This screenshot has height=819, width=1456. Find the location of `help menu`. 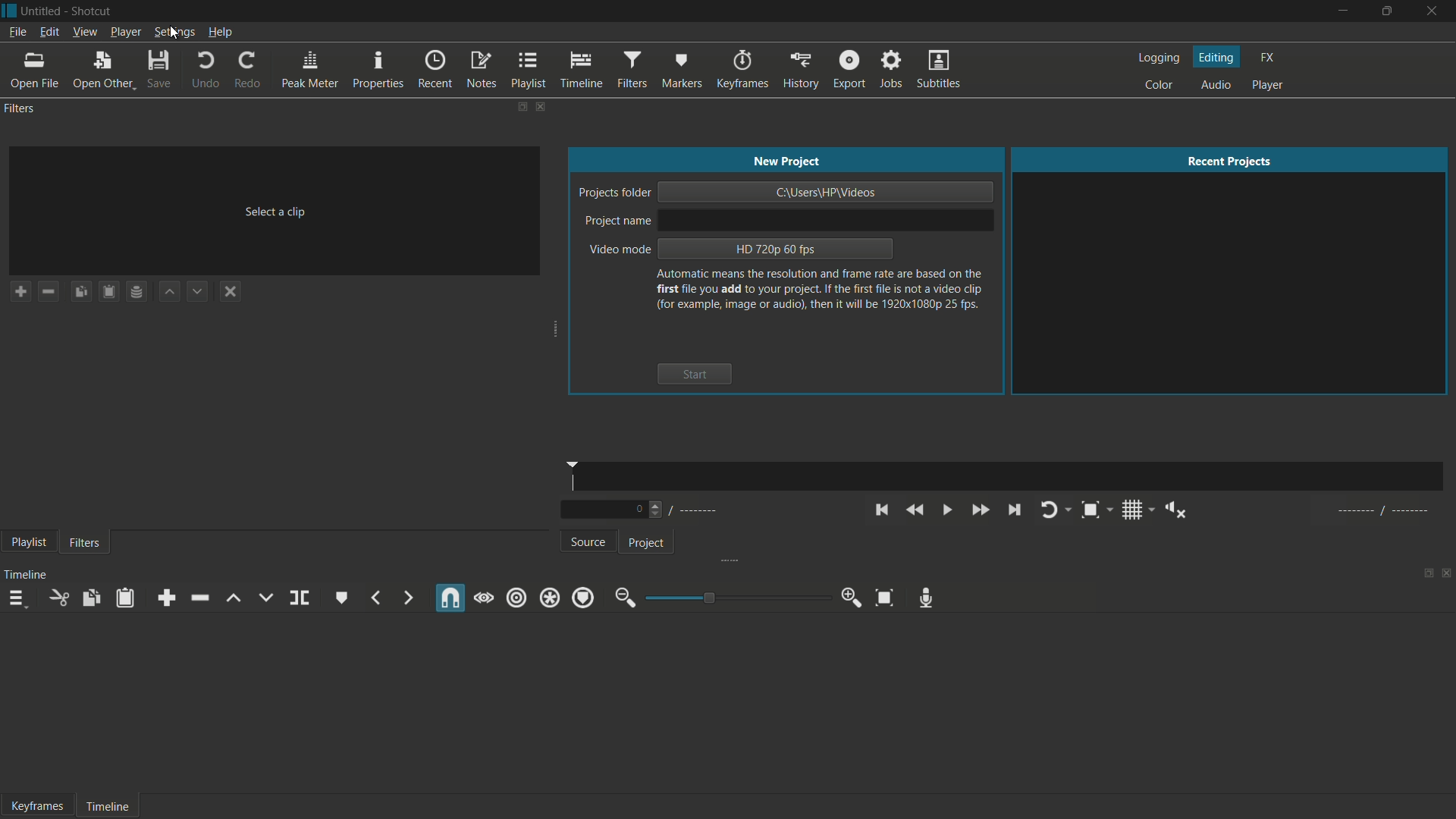

help menu is located at coordinates (221, 33).